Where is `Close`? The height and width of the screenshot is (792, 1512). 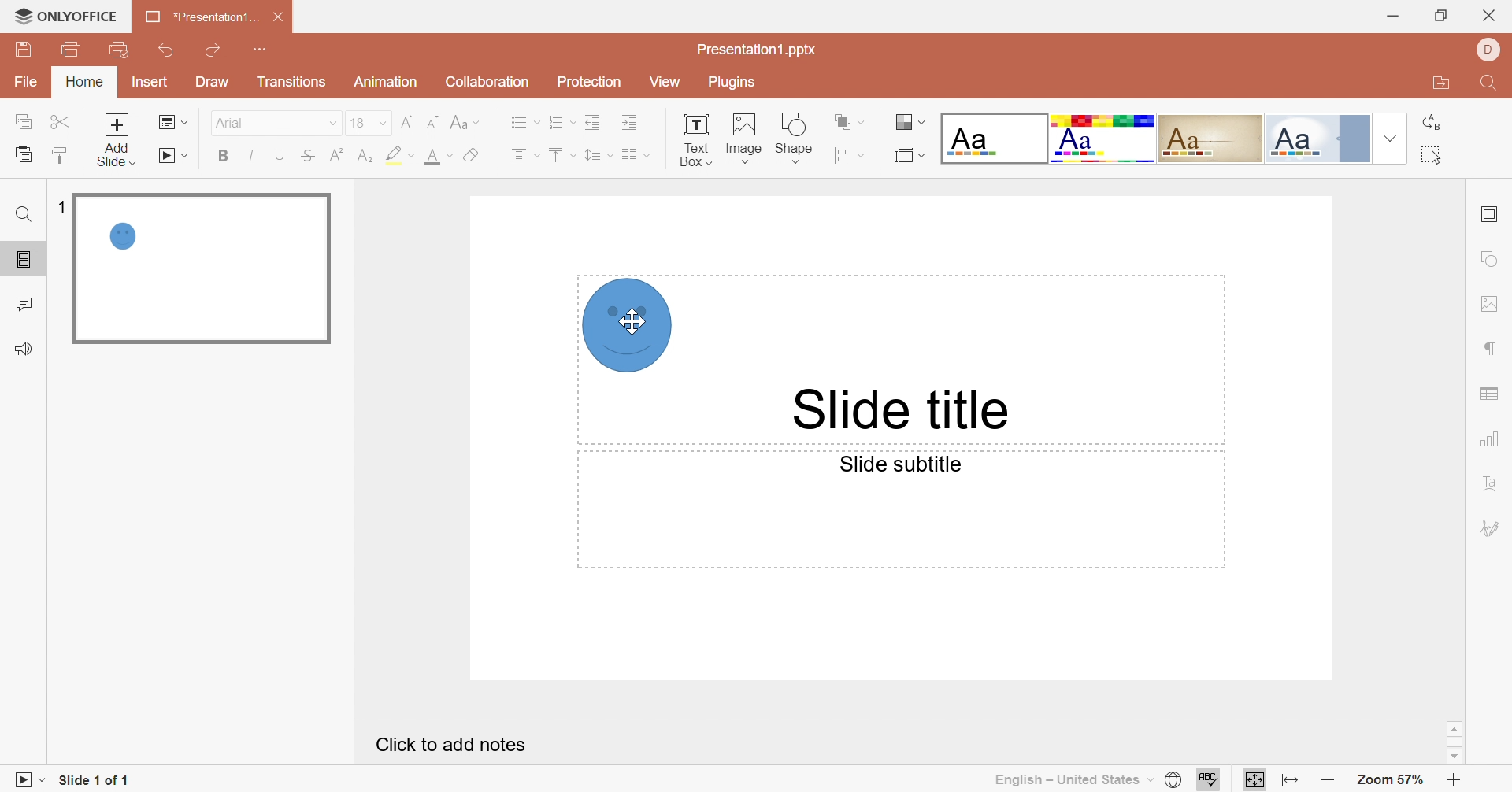
Close is located at coordinates (280, 17).